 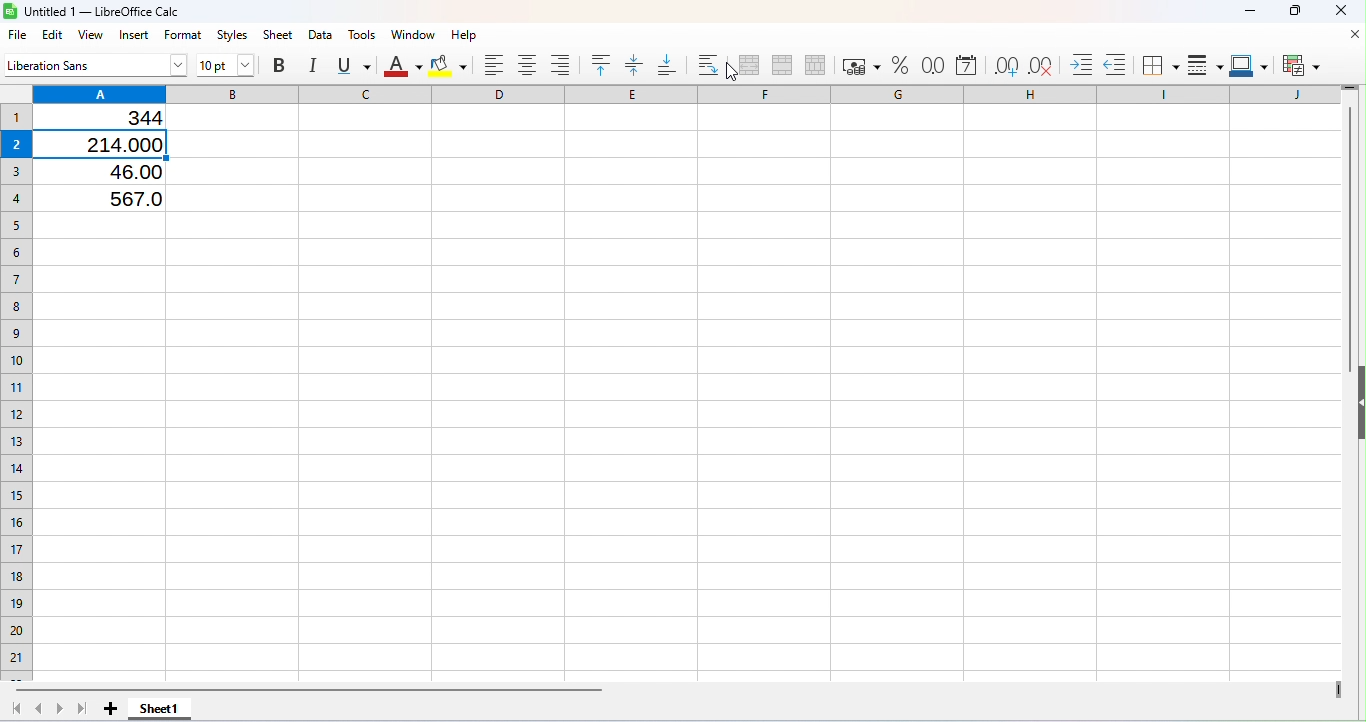 I want to click on Scroll to last sheet, so click(x=84, y=708).